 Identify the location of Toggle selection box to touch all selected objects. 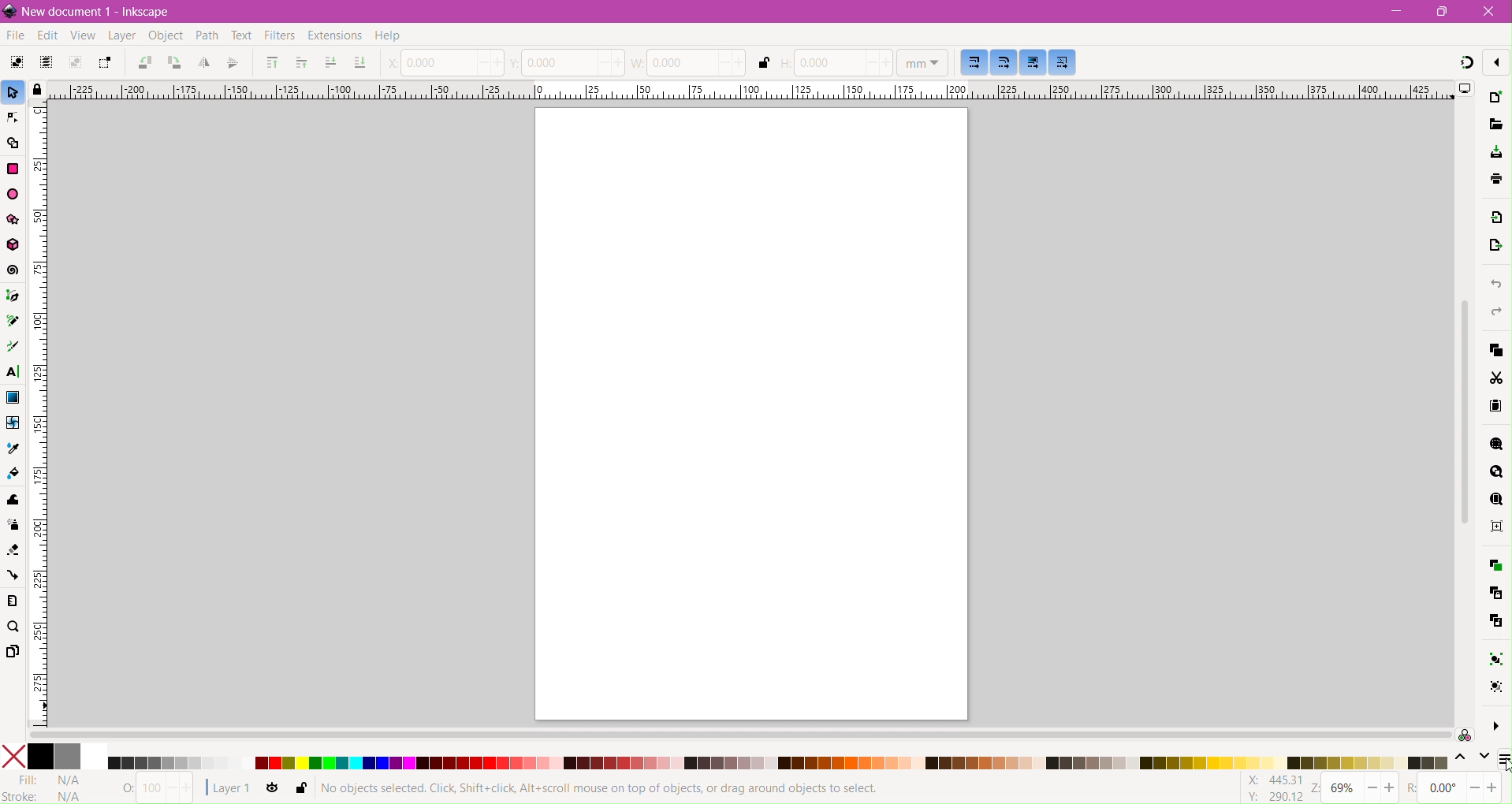
(105, 63).